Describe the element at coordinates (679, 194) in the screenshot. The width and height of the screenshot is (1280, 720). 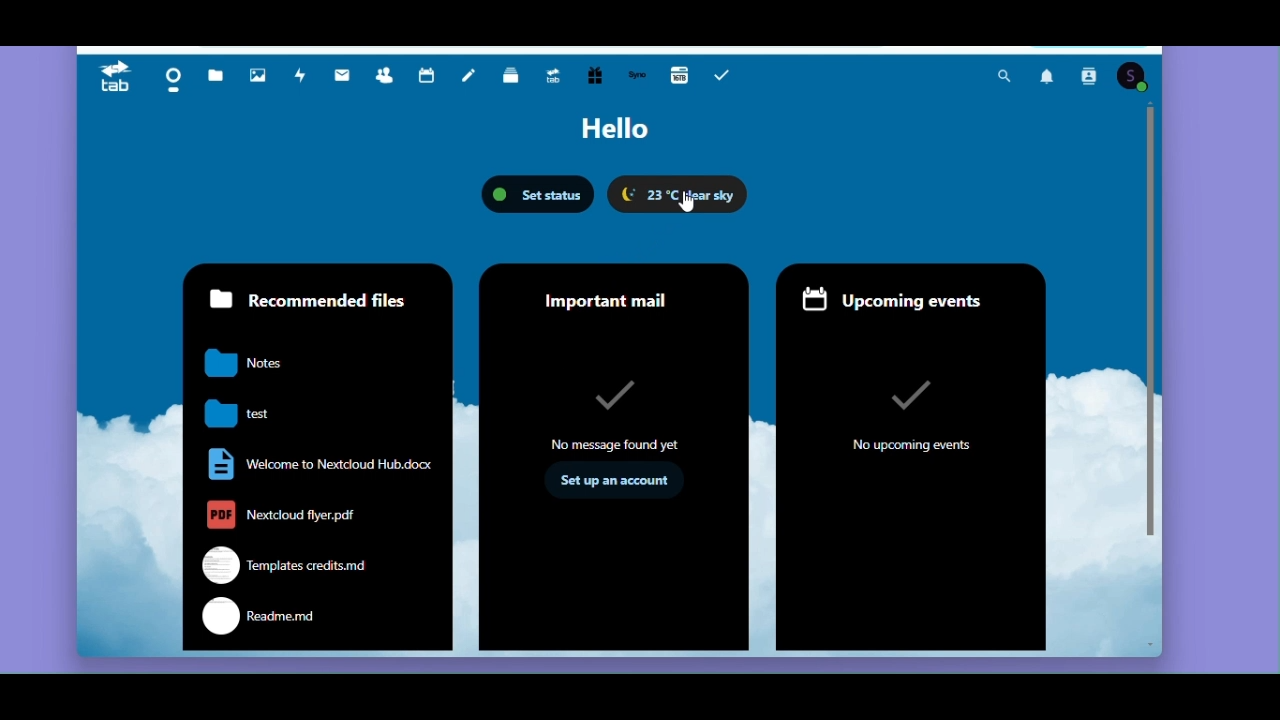
I see `Weather widget` at that location.